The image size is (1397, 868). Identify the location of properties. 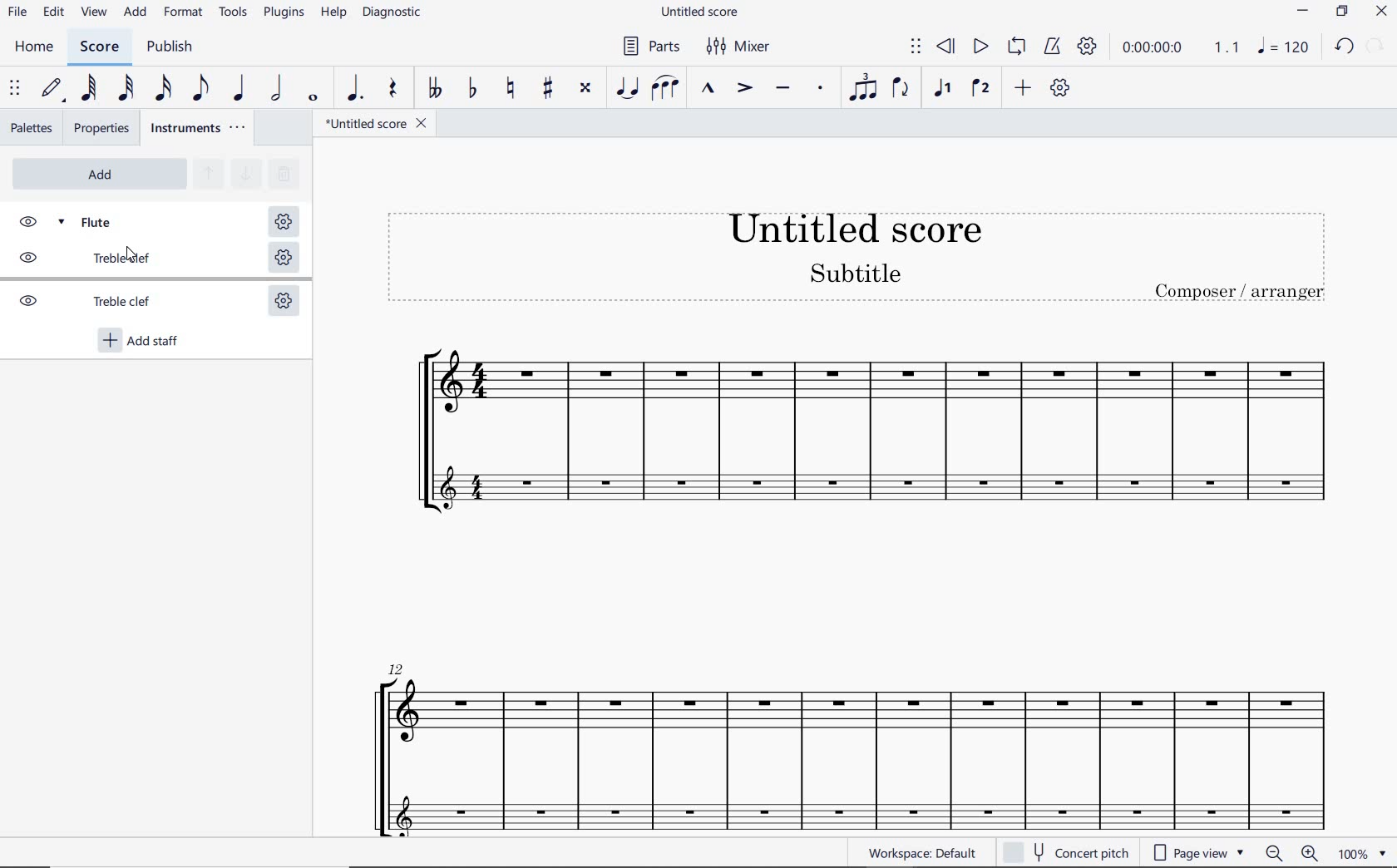
(101, 128).